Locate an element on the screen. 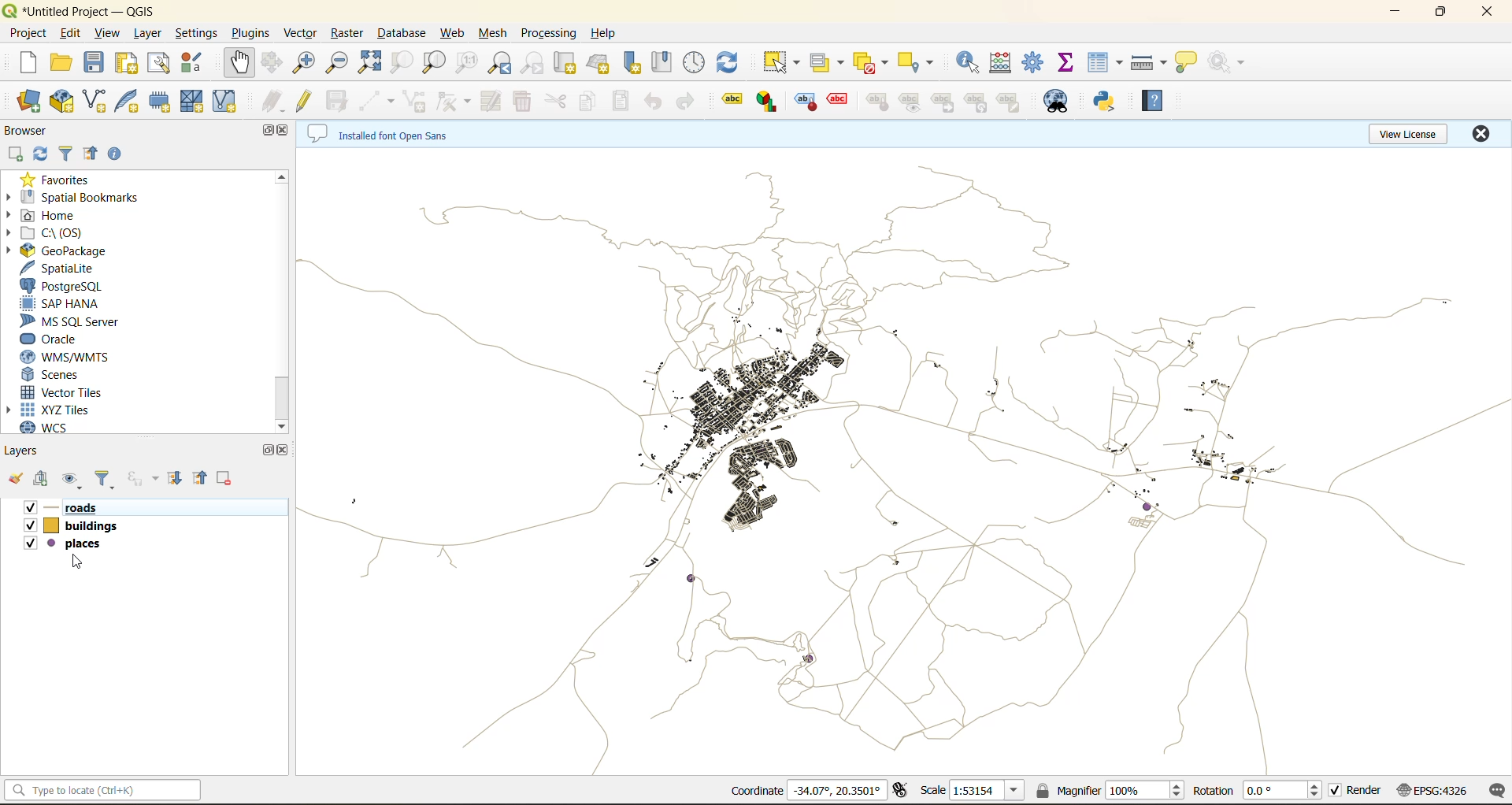 The image size is (1512, 805). zoom native is located at coordinates (470, 63).